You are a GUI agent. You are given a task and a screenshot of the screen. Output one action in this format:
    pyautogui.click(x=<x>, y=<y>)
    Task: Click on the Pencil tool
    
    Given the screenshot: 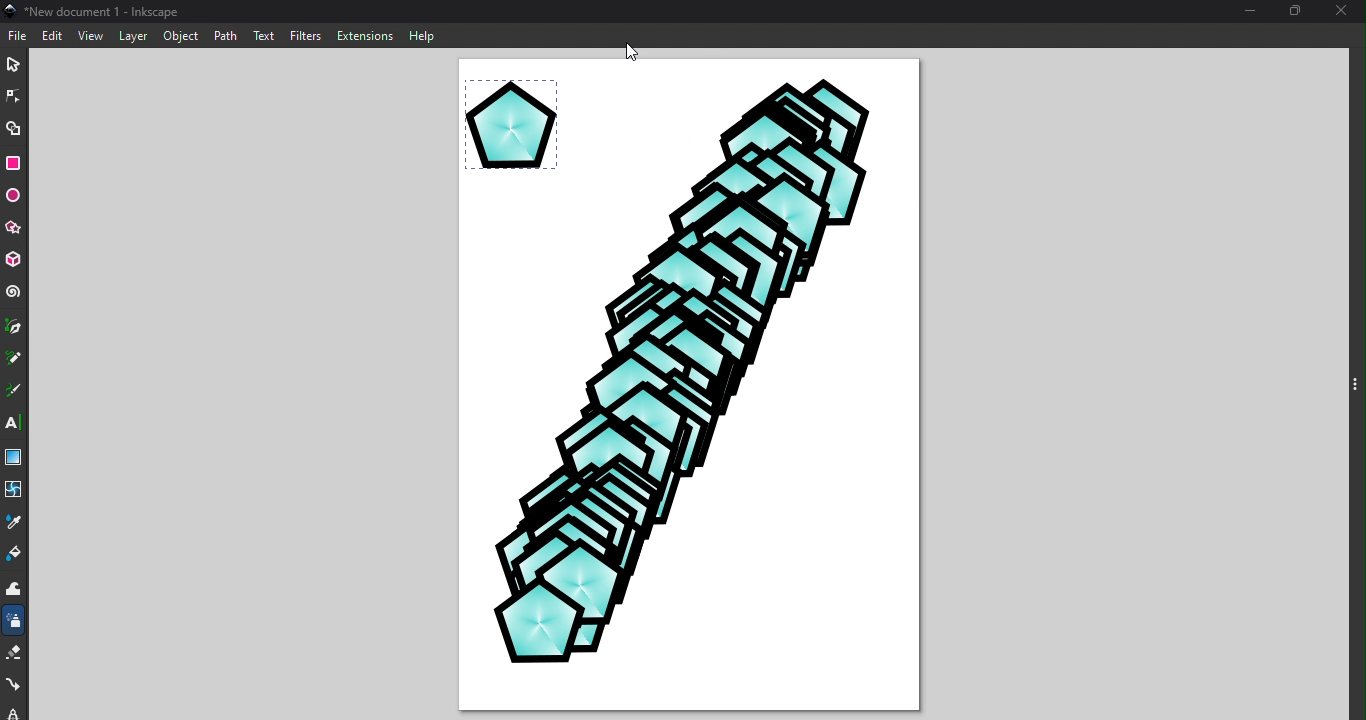 What is the action you would take?
    pyautogui.click(x=13, y=357)
    